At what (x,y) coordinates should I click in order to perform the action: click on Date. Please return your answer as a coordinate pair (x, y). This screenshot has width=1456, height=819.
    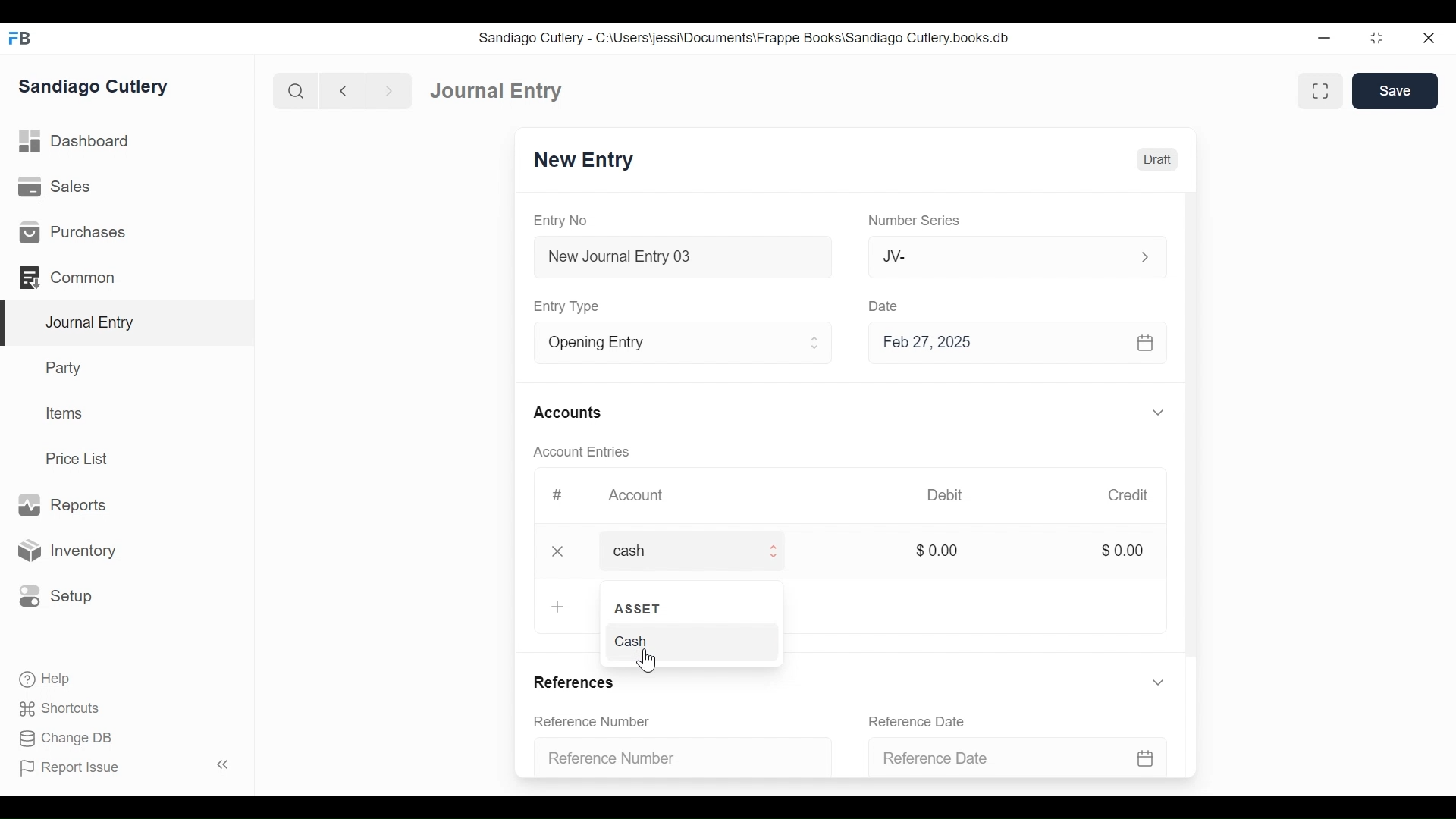
    Looking at the image, I should click on (886, 306).